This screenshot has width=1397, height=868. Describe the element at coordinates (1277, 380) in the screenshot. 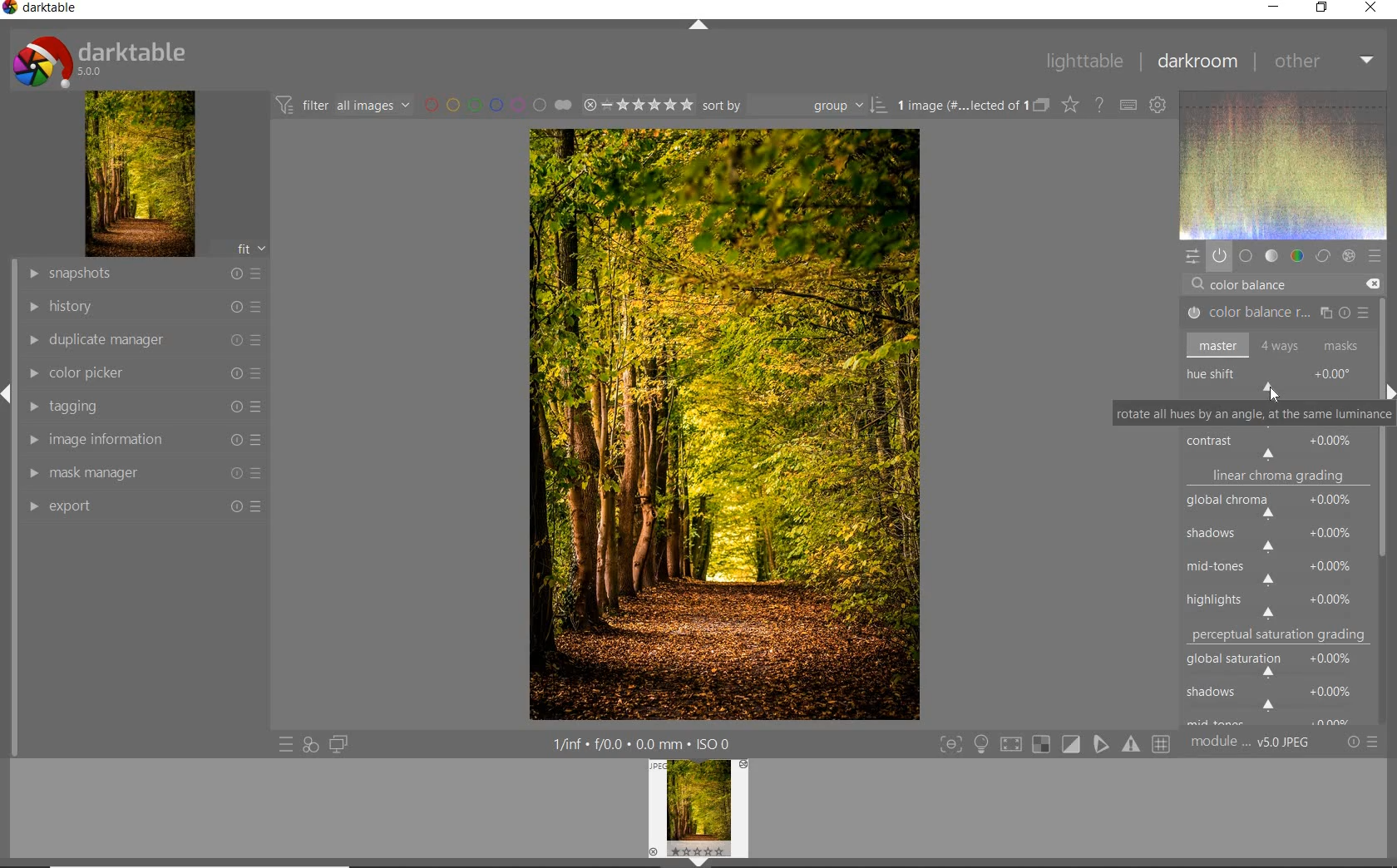

I see `hue shift` at that location.